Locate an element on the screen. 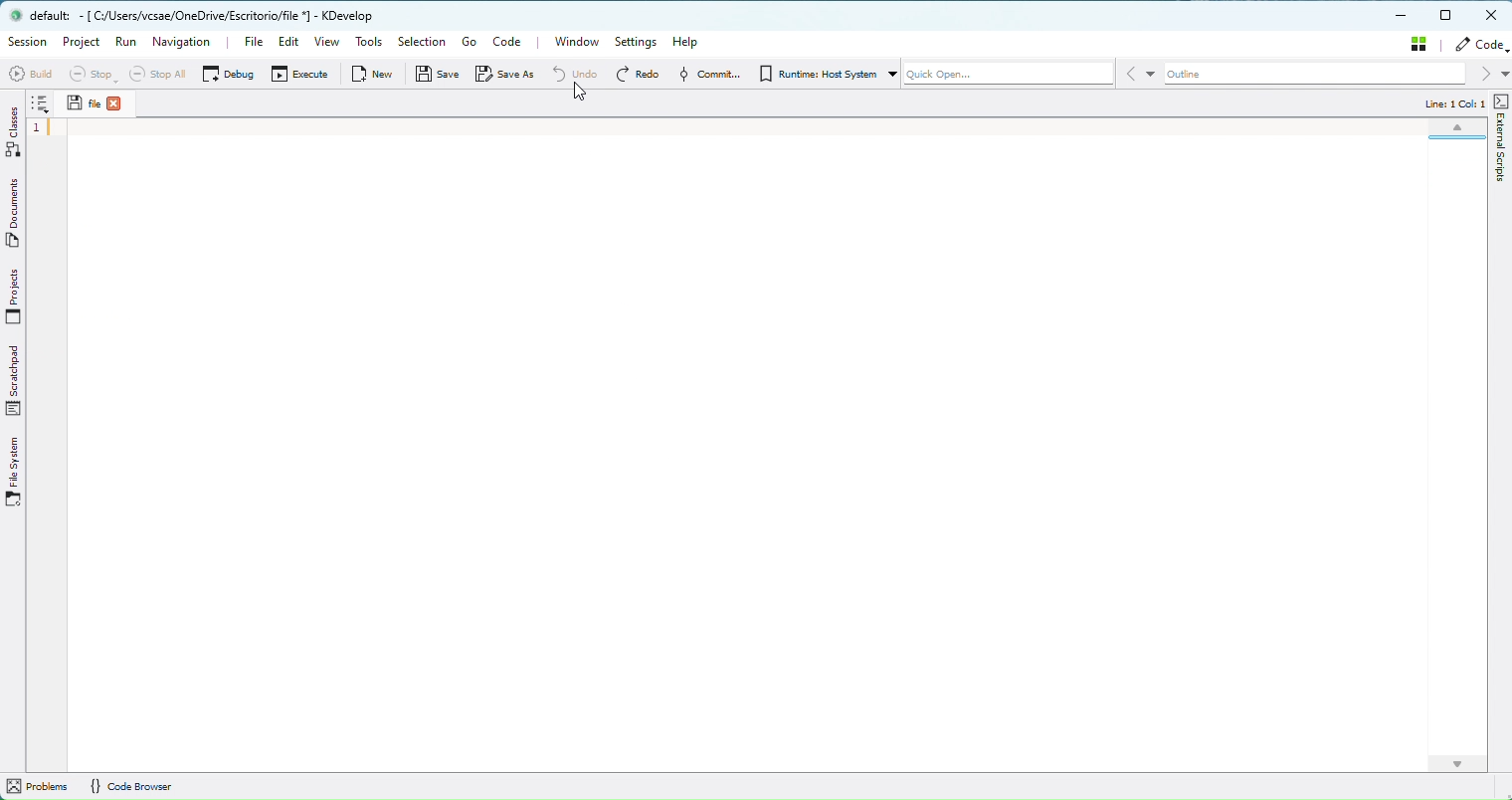 The image size is (1512, 800). cursor is located at coordinates (582, 100).